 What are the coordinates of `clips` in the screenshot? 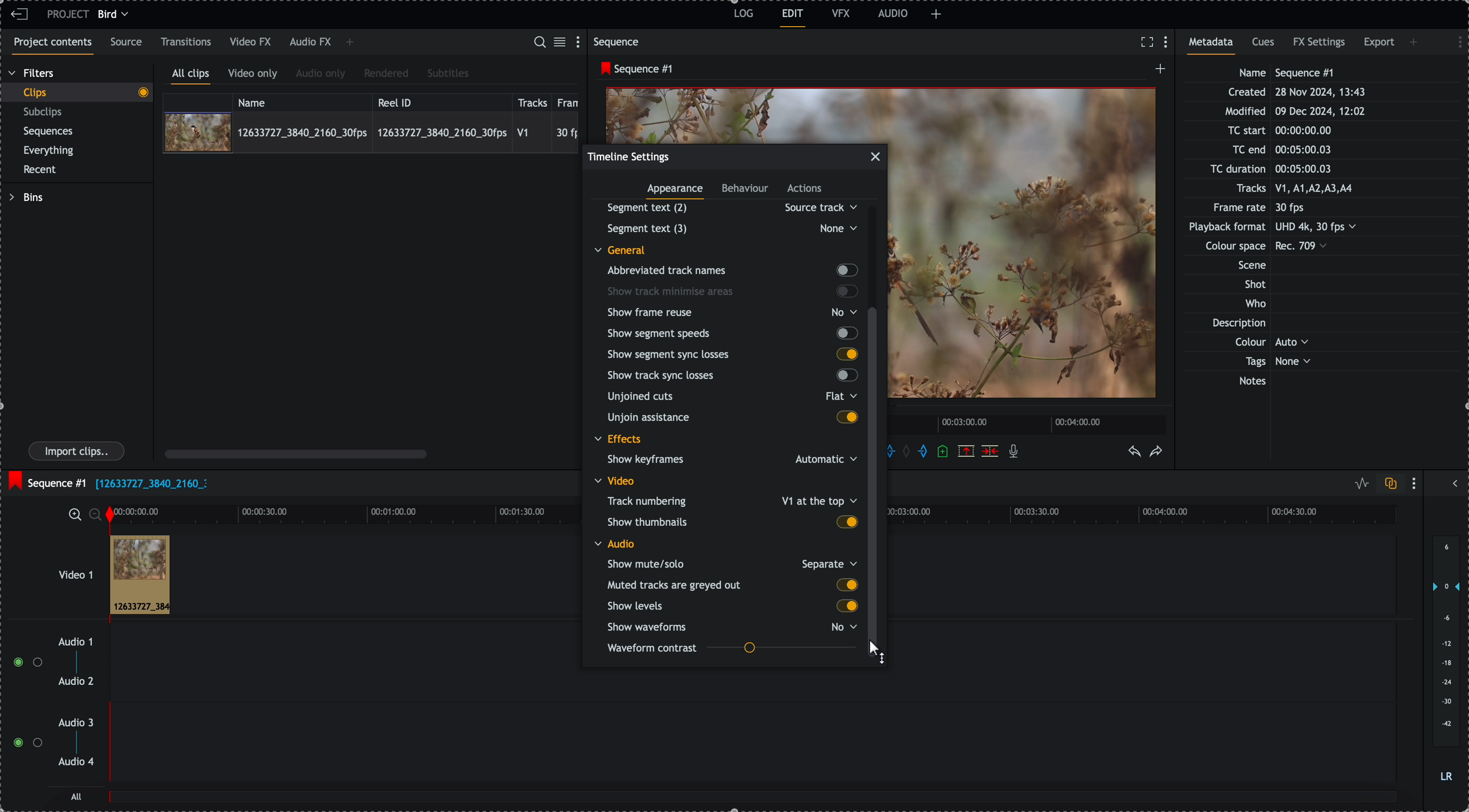 It's located at (76, 93).